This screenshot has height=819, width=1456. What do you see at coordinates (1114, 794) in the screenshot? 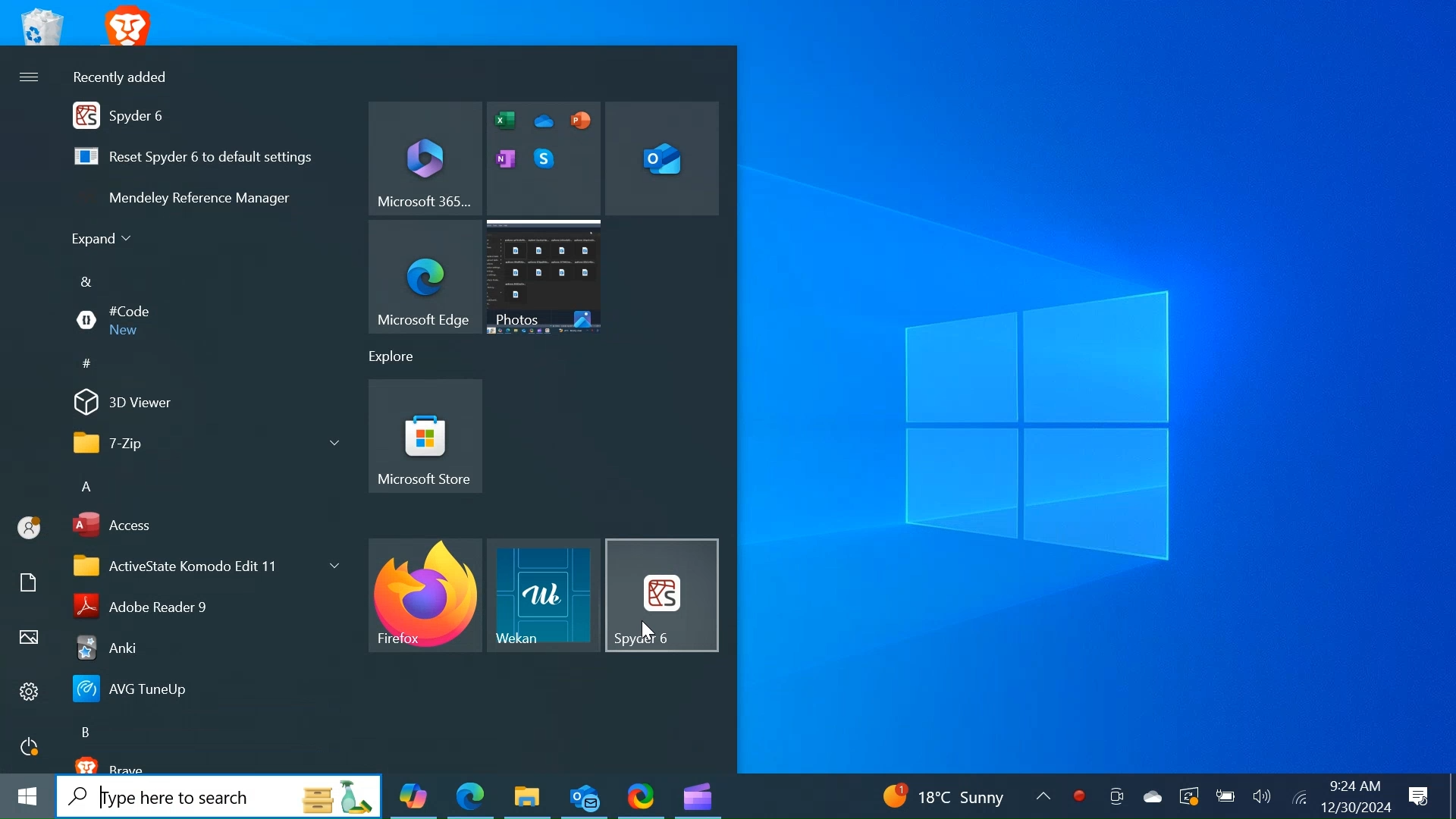
I see `Meet now` at bounding box center [1114, 794].